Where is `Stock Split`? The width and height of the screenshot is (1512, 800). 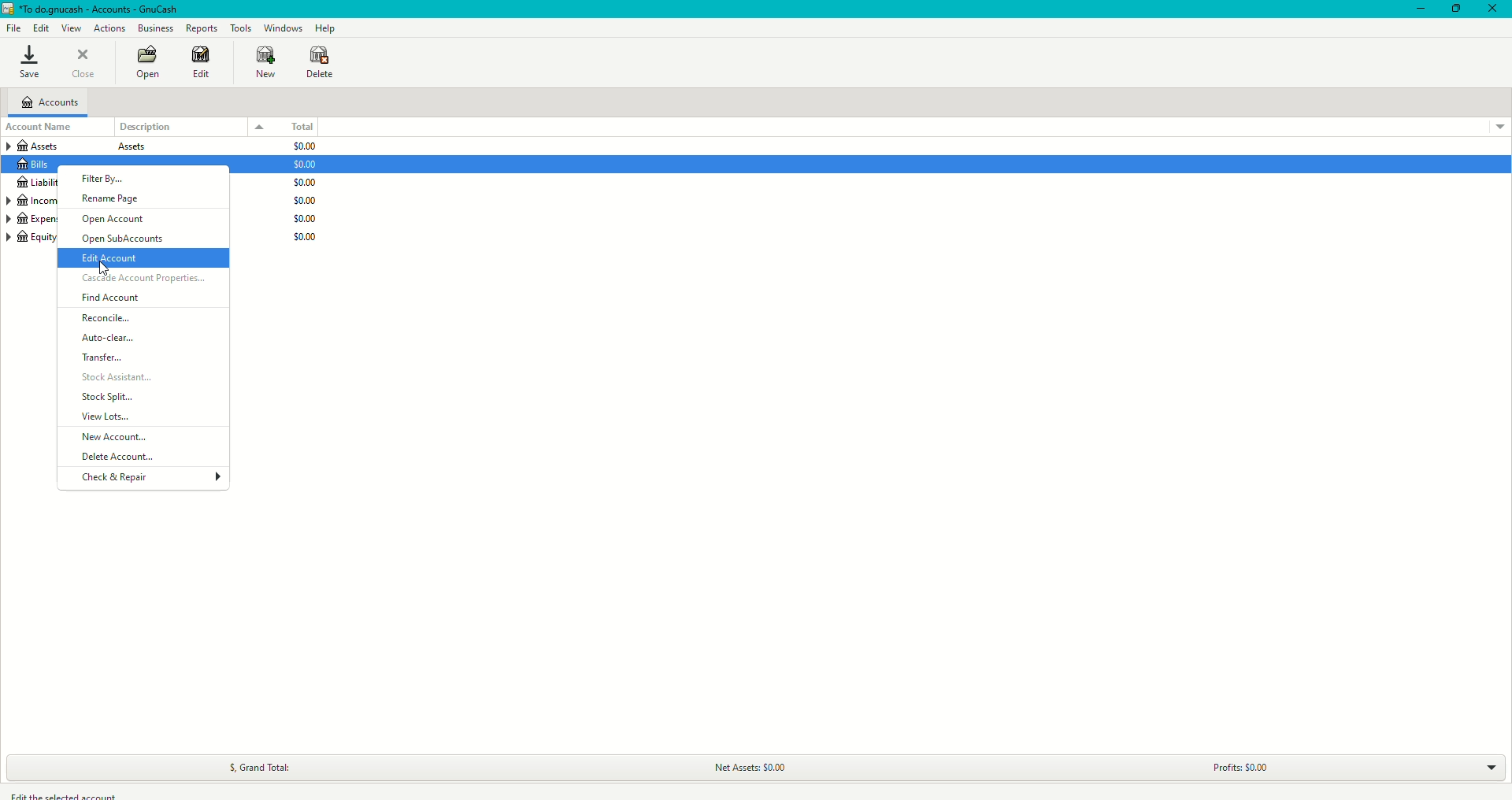 Stock Split is located at coordinates (109, 397).